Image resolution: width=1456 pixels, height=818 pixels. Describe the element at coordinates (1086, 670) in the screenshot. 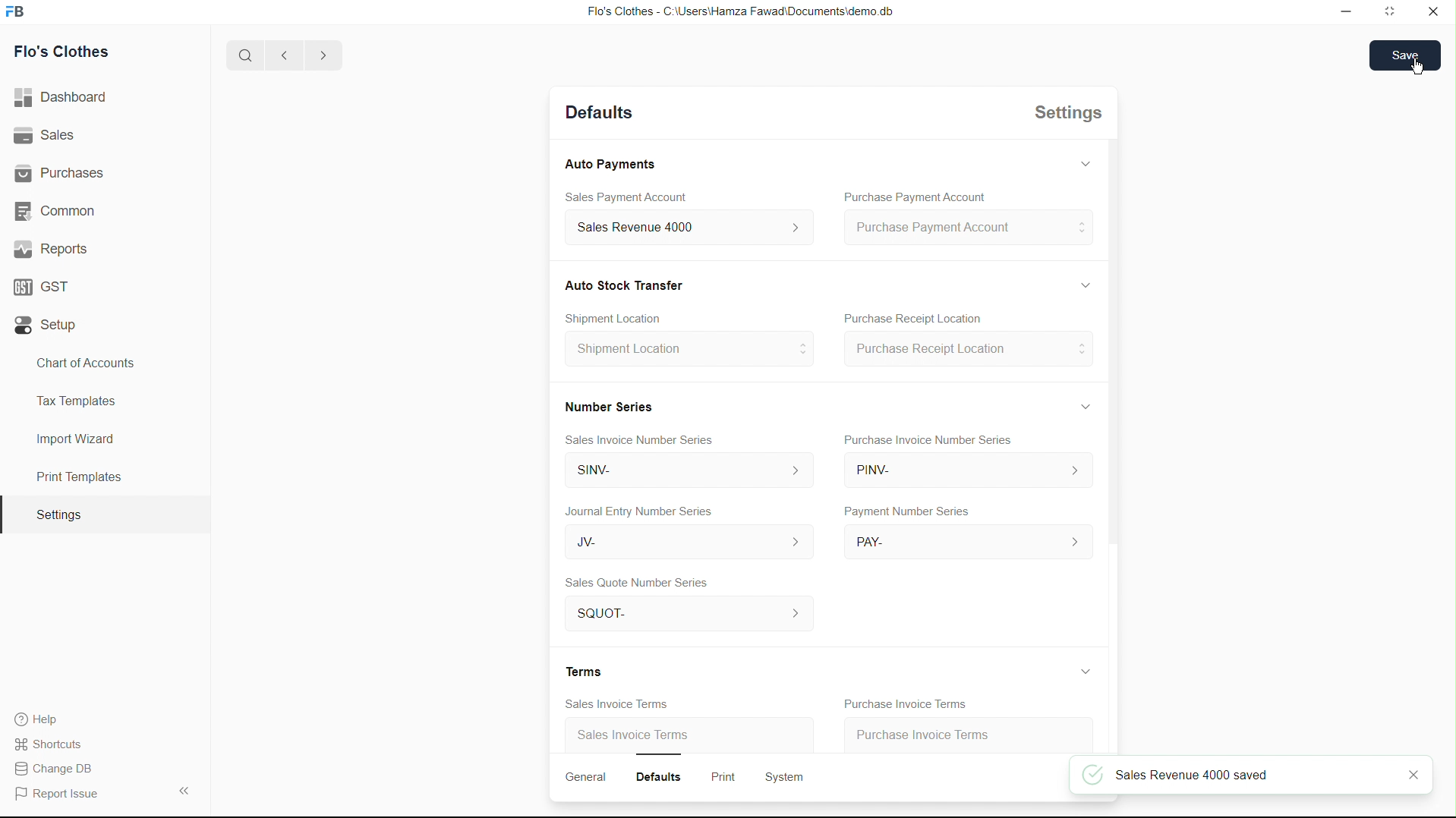

I see `Hide ` at that location.